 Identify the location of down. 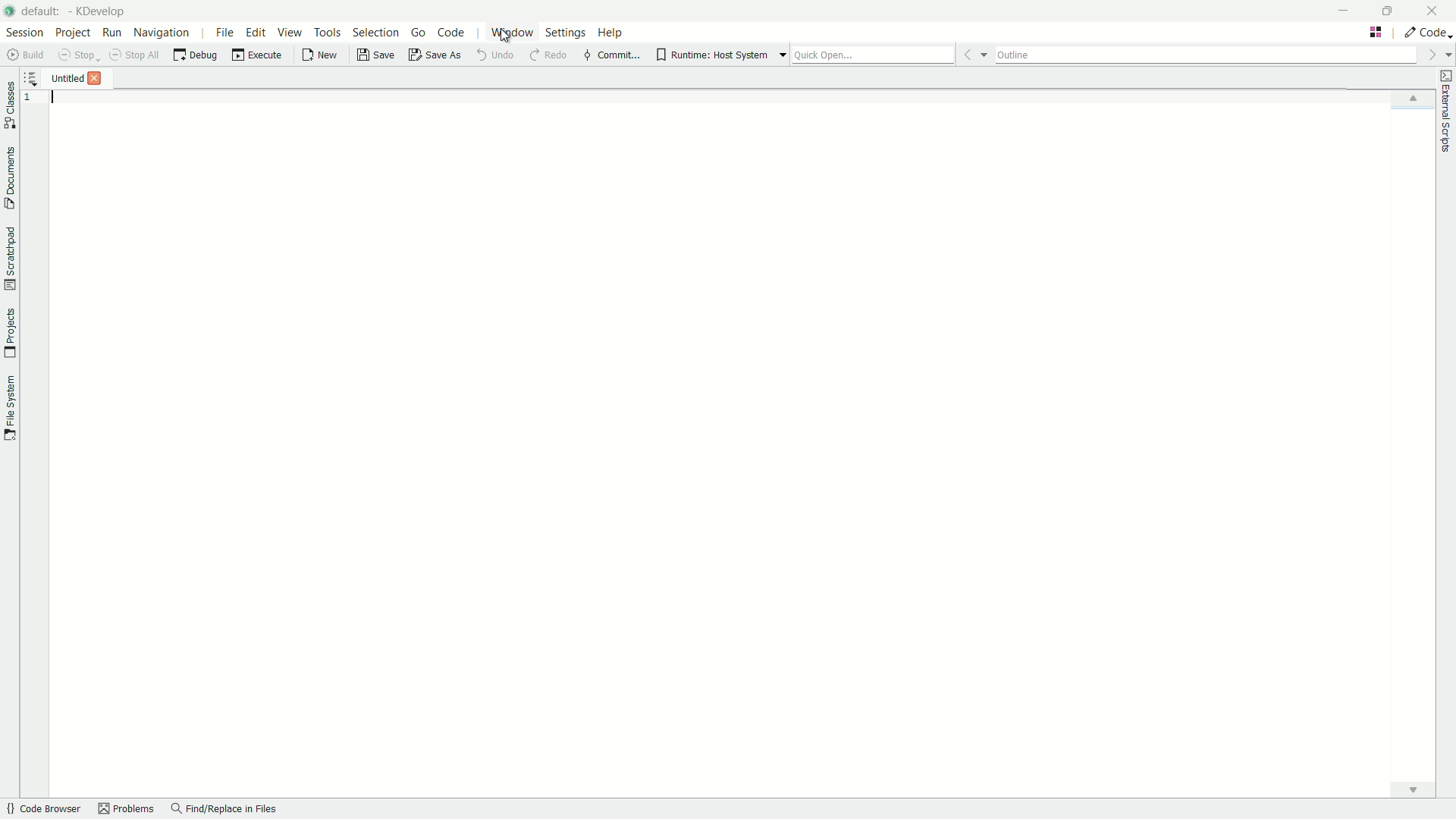
(1409, 789).